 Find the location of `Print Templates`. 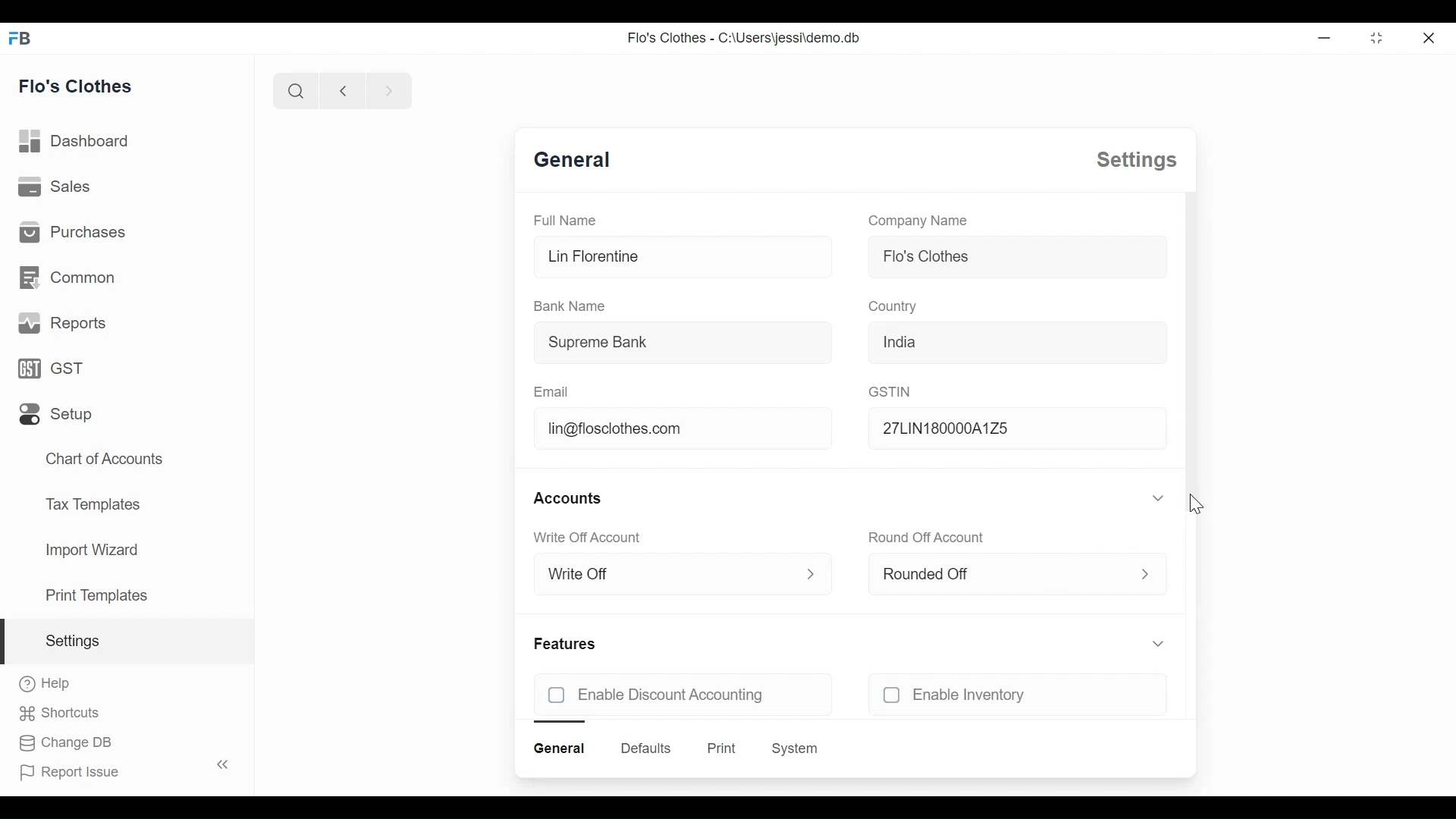

Print Templates is located at coordinates (96, 595).